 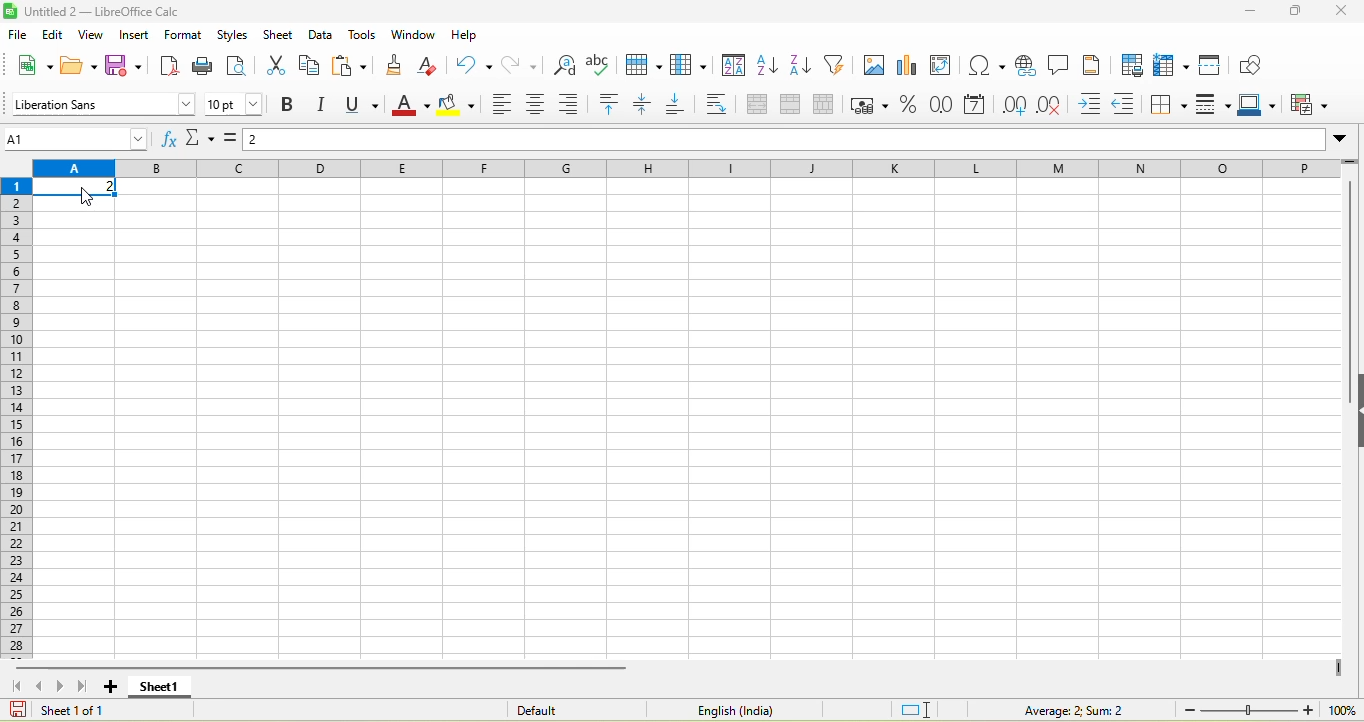 I want to click on standard selection, so click(x=917, y=709).